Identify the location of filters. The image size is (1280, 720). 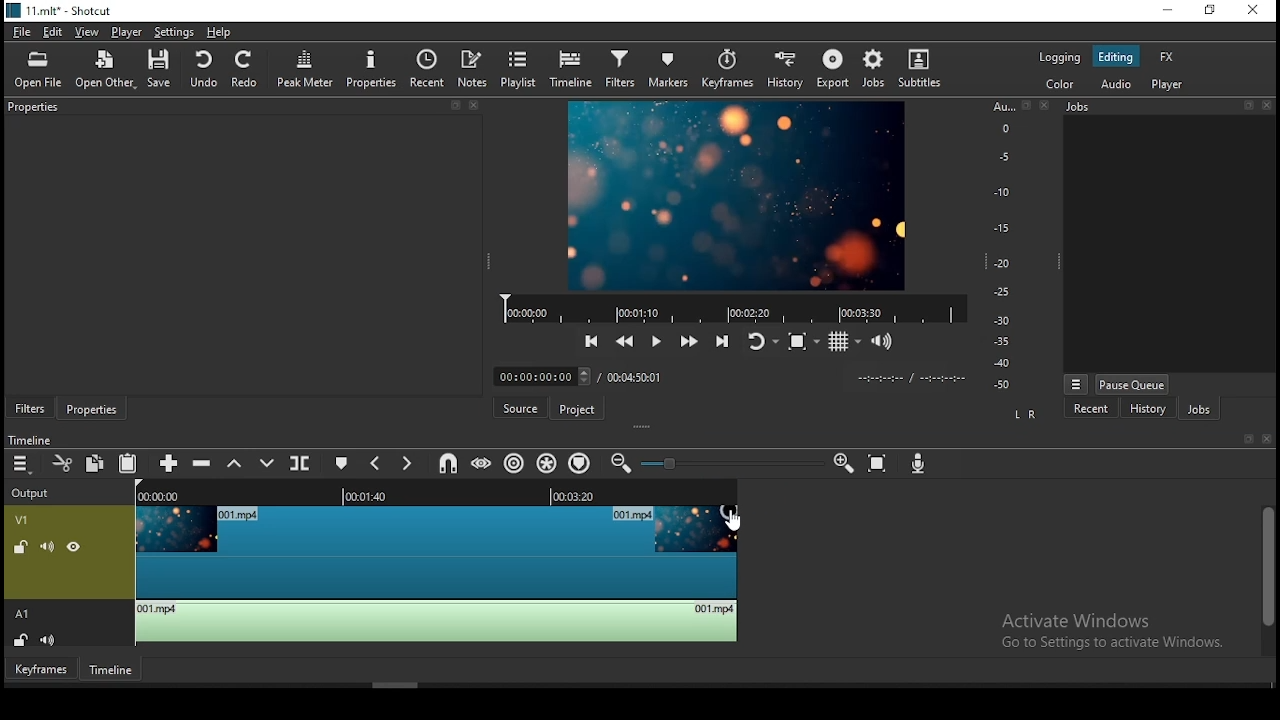
(621, 65).